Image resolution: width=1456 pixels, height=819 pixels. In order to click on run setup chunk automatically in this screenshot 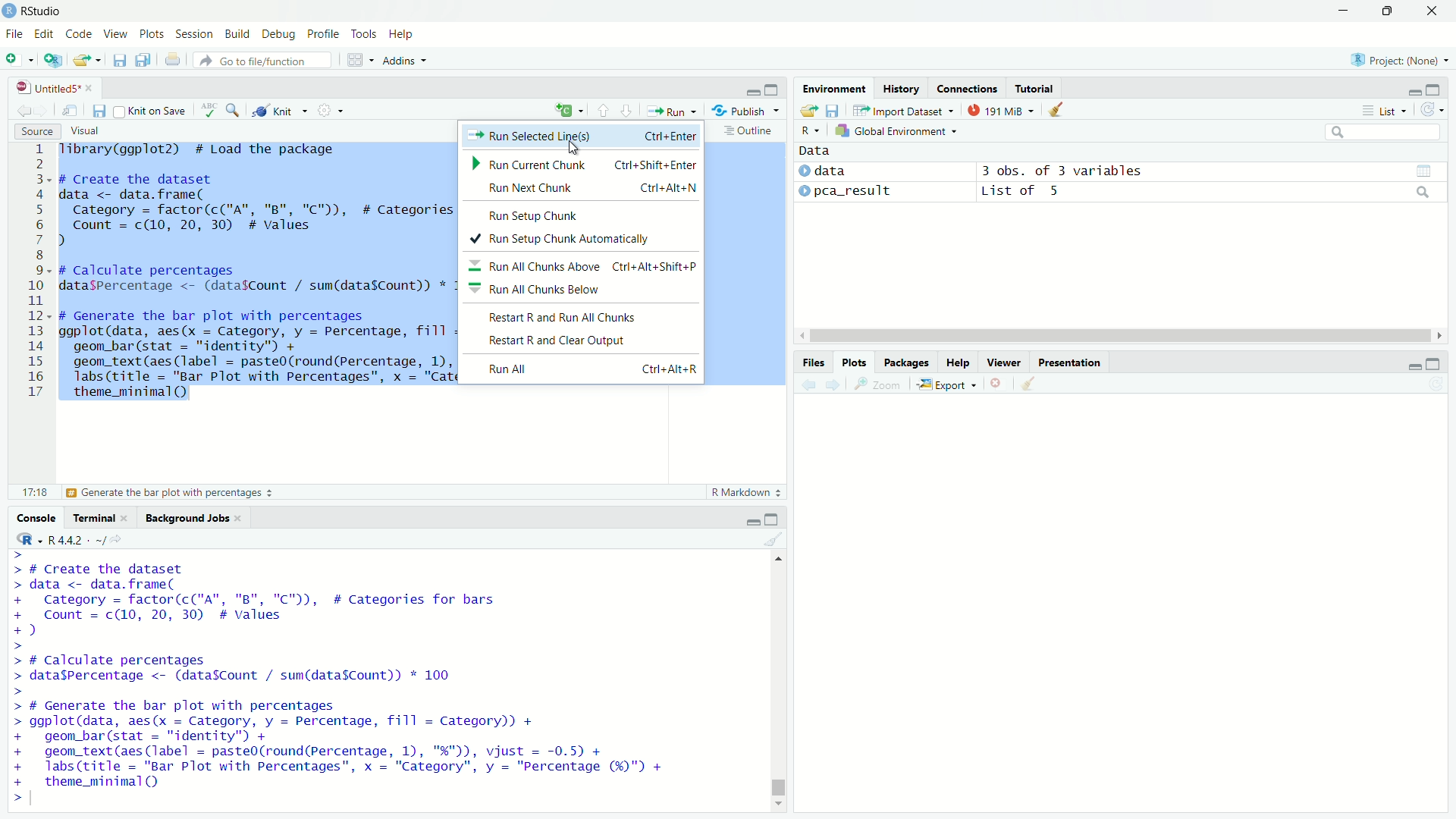, I will do `click(585, 238)`.